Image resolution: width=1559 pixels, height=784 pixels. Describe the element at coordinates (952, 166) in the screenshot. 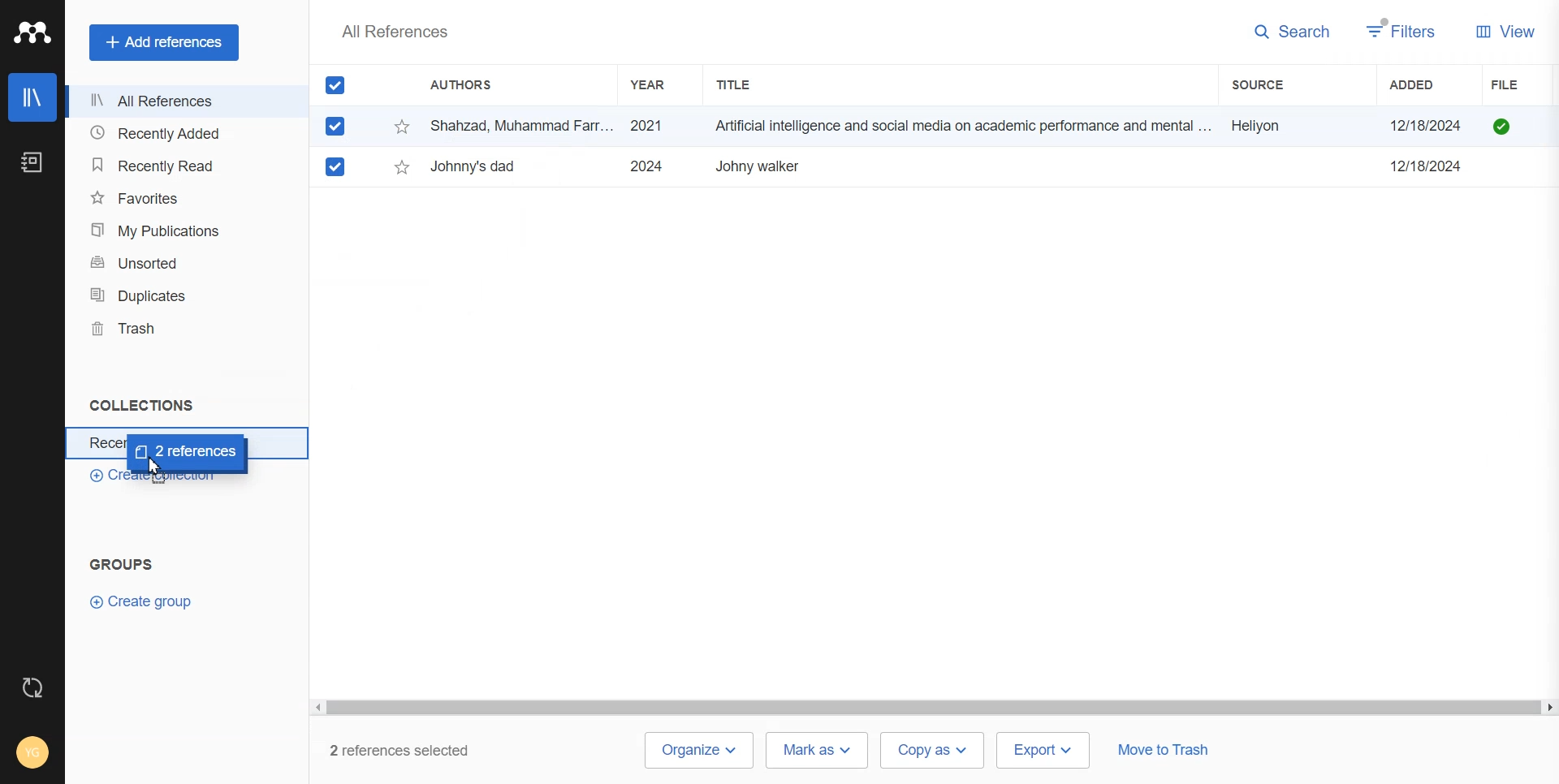

I see `Ezquerro, L.; Coimbra, R.; ... 2023 Large dinosaur egg accumulations and their significance for understanding ne... Geoscience Frontiers ~~ 12/18/2024` at that location.